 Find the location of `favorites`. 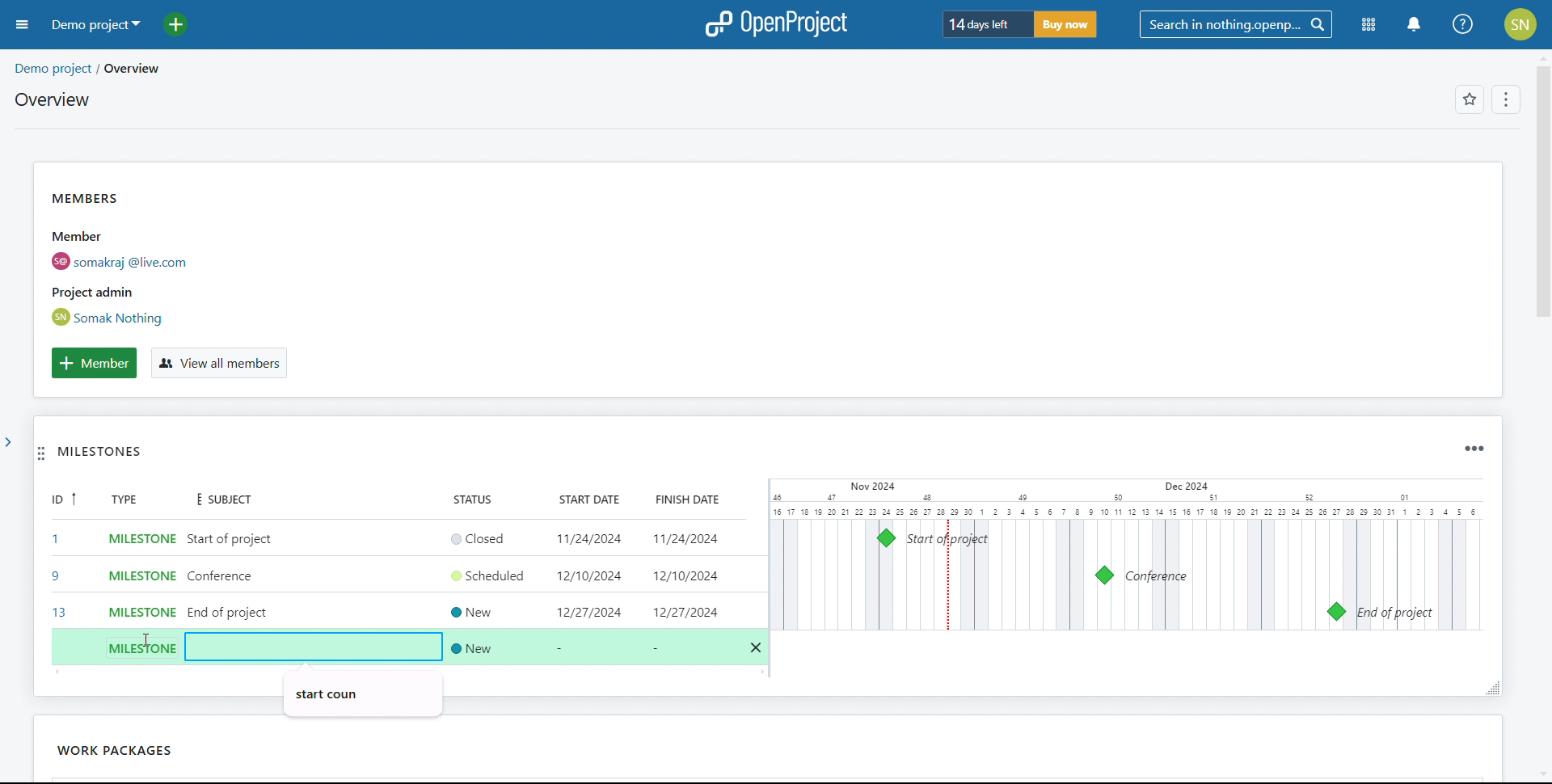

favorites is located at coordinates (1469, 101).